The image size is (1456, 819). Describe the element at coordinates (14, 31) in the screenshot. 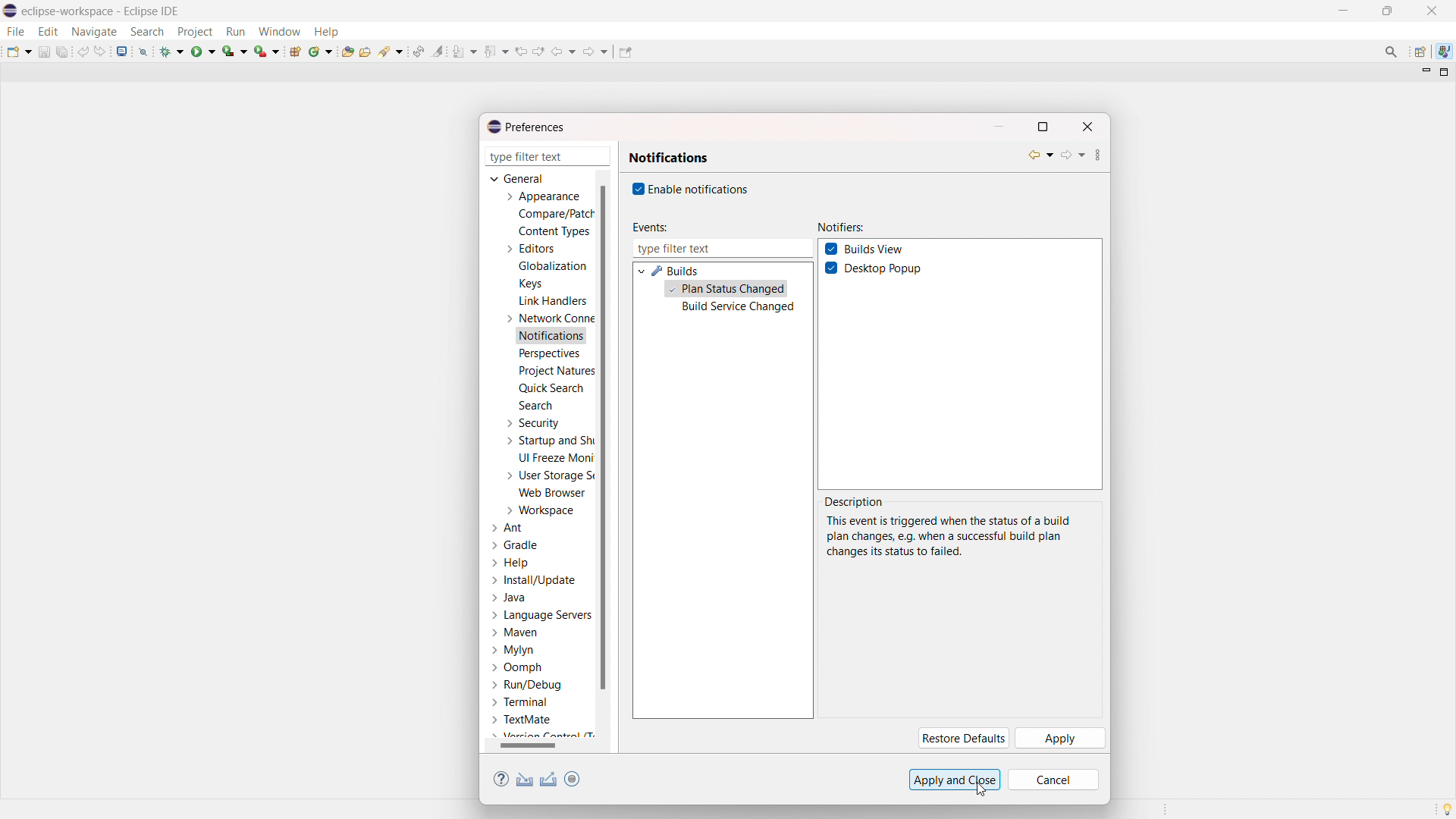

I see `file` at that location.